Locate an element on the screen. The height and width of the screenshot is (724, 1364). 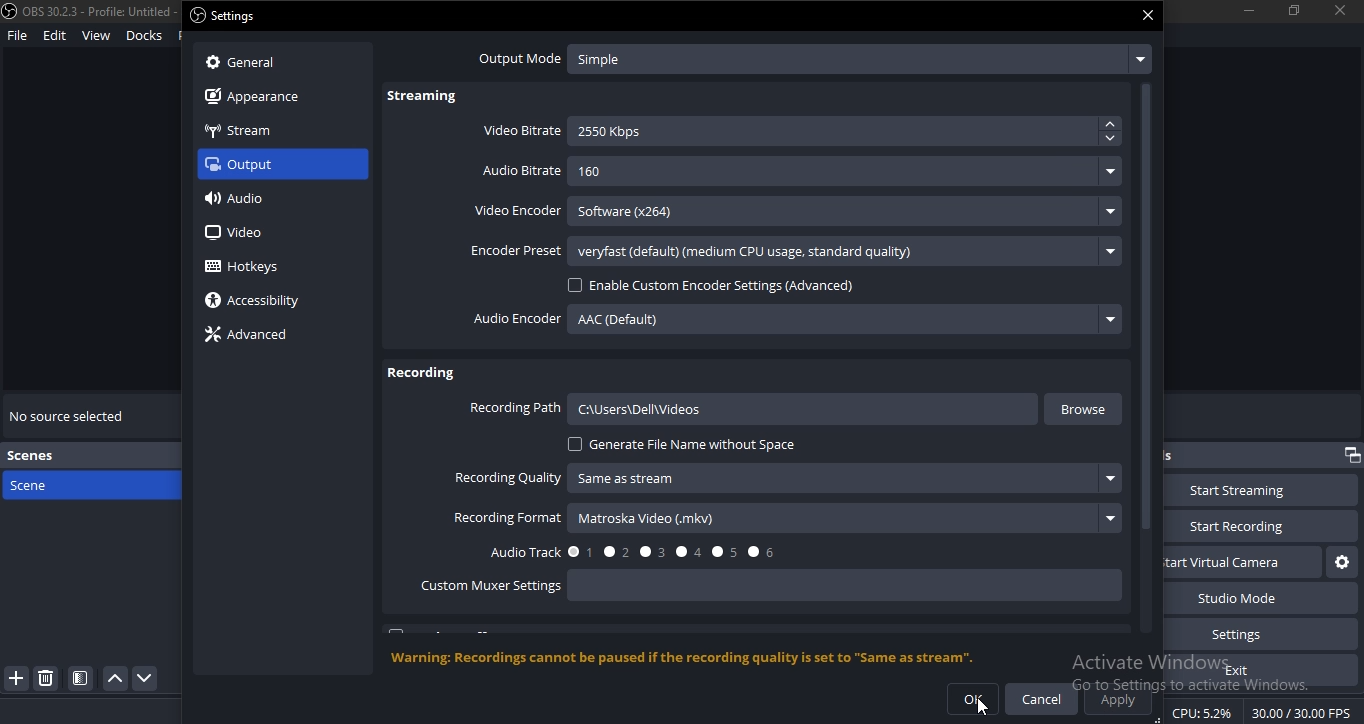
delete scene is located at coordinates (47, 681).